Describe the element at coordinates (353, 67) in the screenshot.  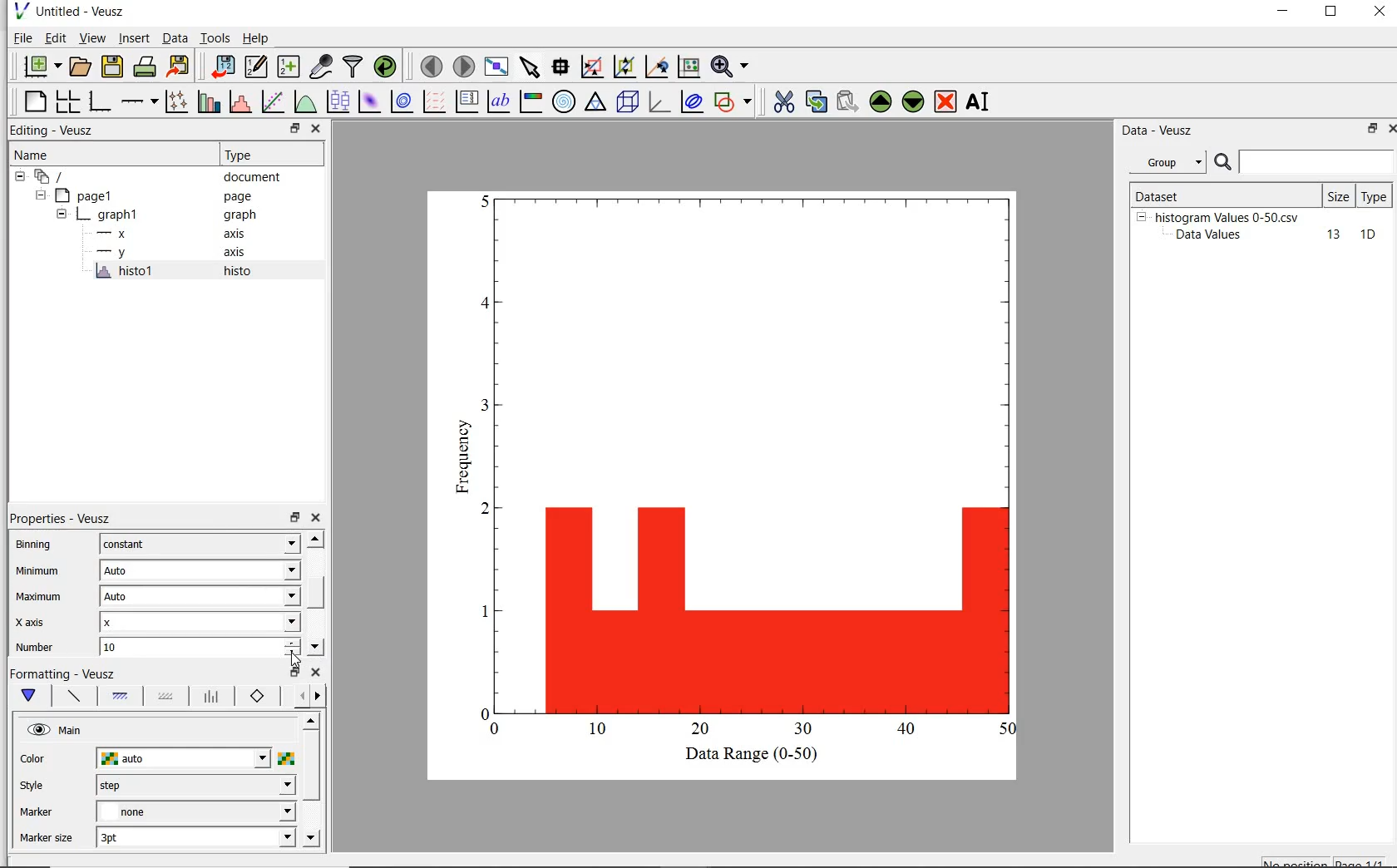
I see `filter data` at that location.